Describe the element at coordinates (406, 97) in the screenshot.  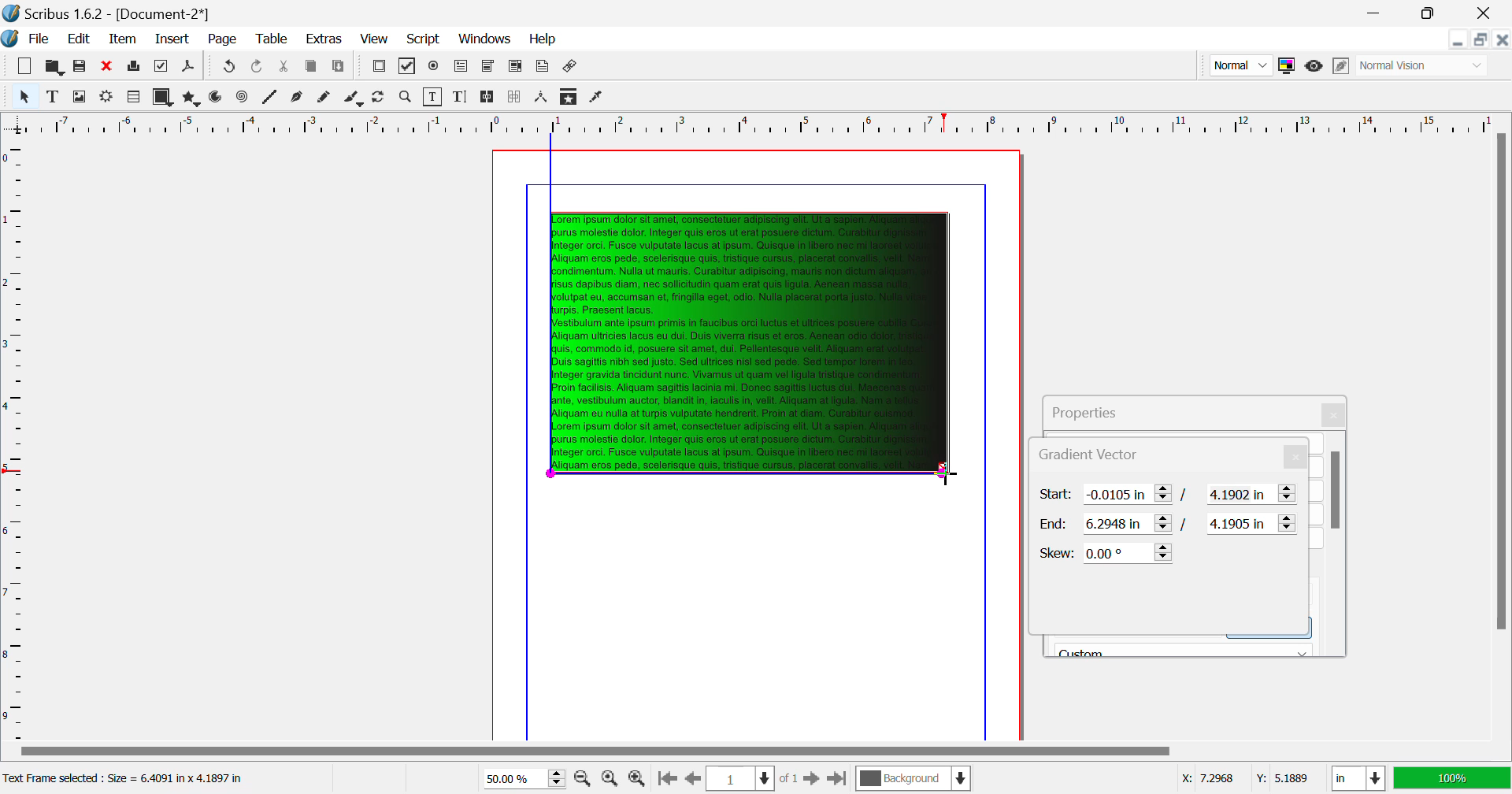
I see `Zoom` at that location.